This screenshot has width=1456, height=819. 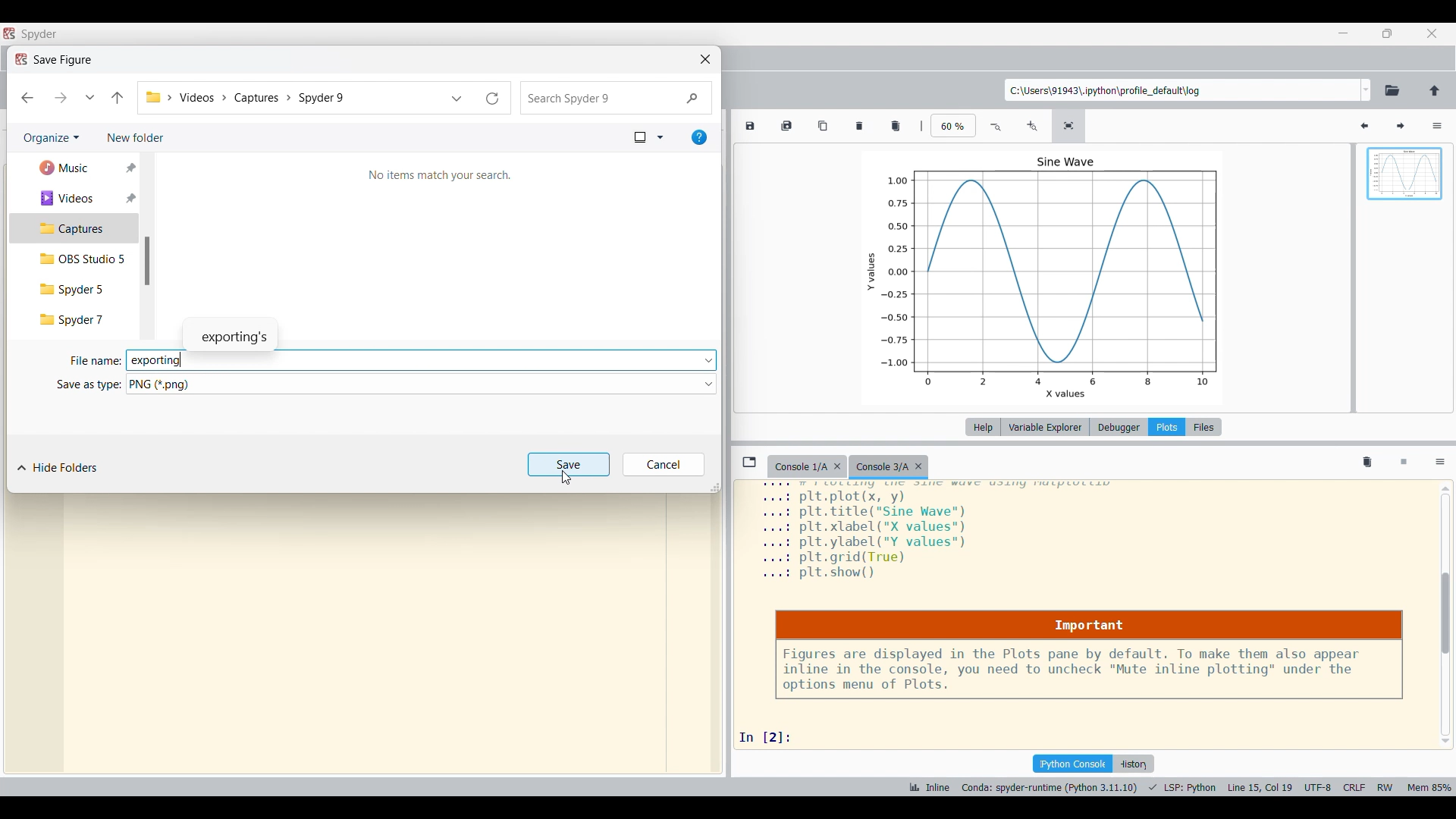 What do you see at coordinates (136, 138) in the screenshot?
I see `Add new folder` at bounding box center [136, 138].